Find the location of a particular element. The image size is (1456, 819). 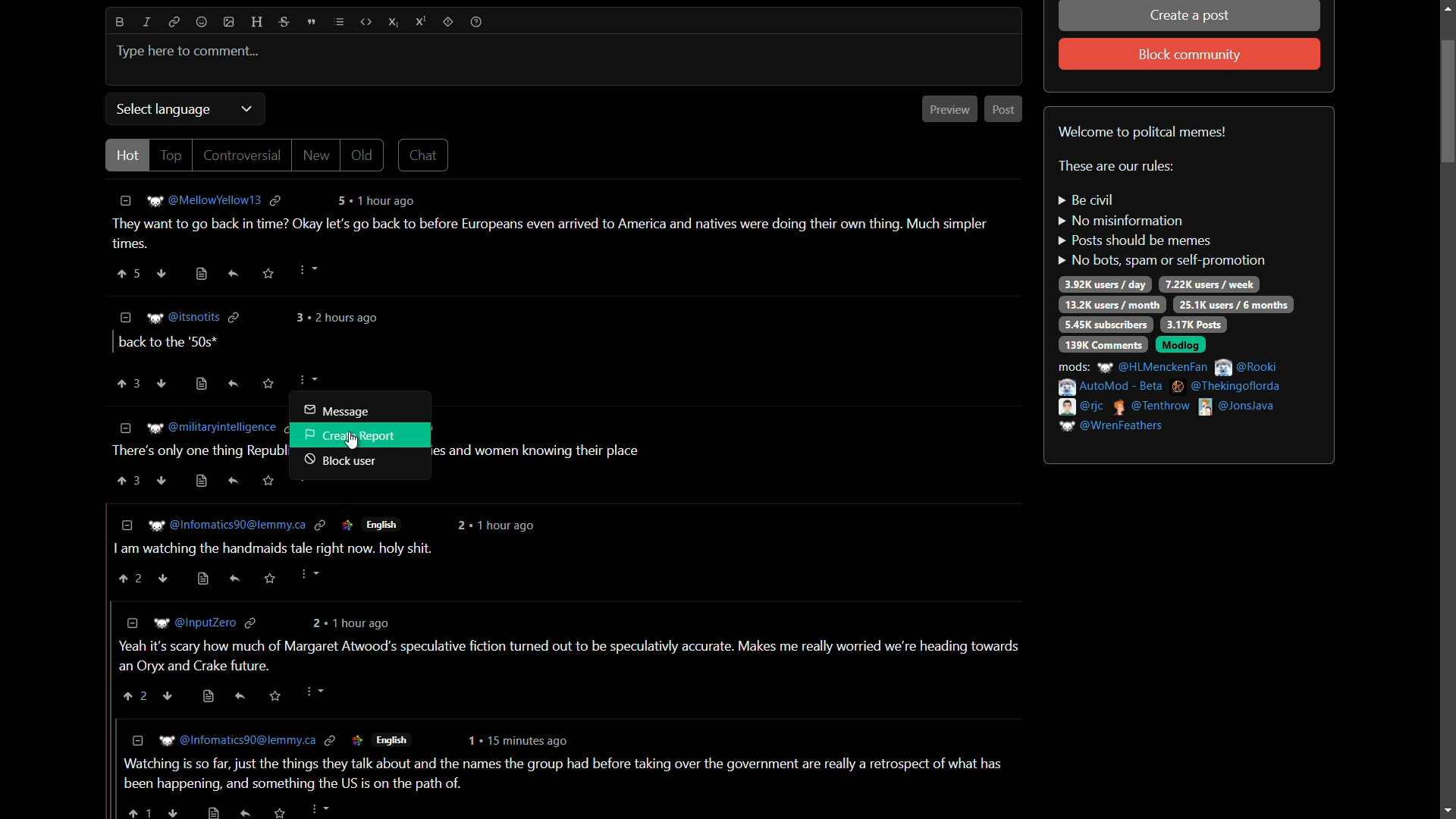

less information is located at coordinates (126, 316).